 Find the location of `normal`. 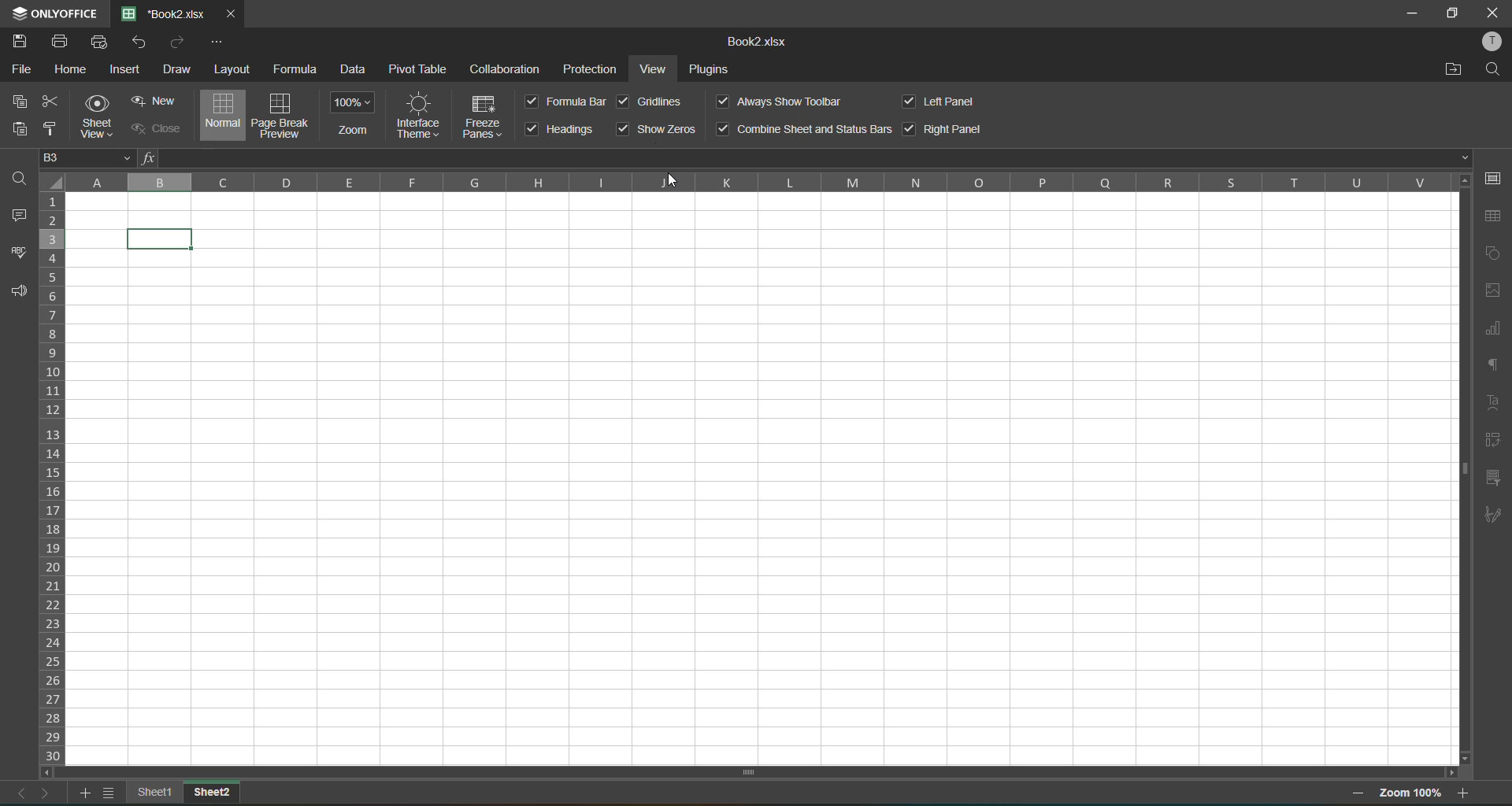

normal is located at coordinates (220, 116).